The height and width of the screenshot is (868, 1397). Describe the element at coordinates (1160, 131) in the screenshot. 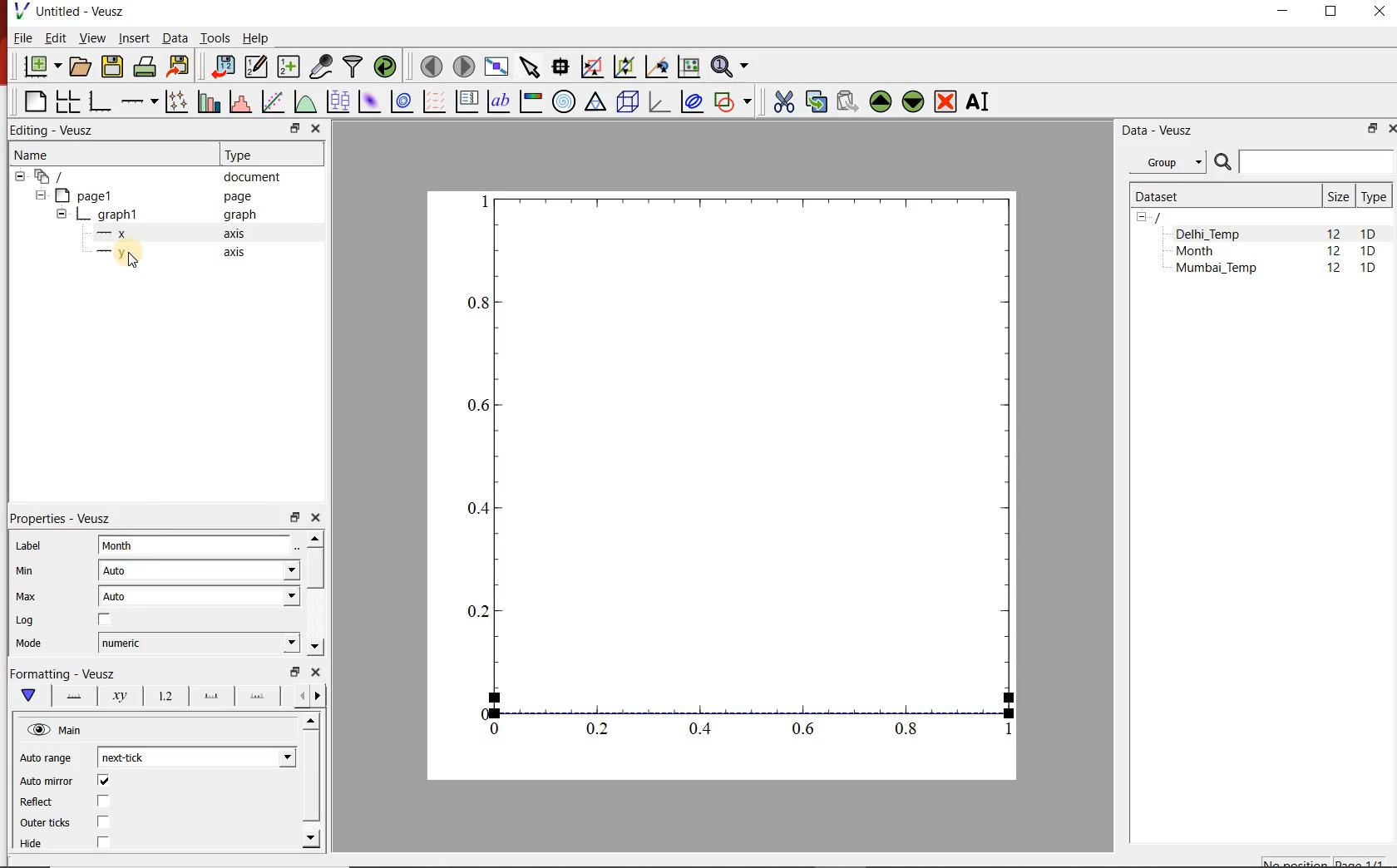

I see `Data - Veusz` at that location.